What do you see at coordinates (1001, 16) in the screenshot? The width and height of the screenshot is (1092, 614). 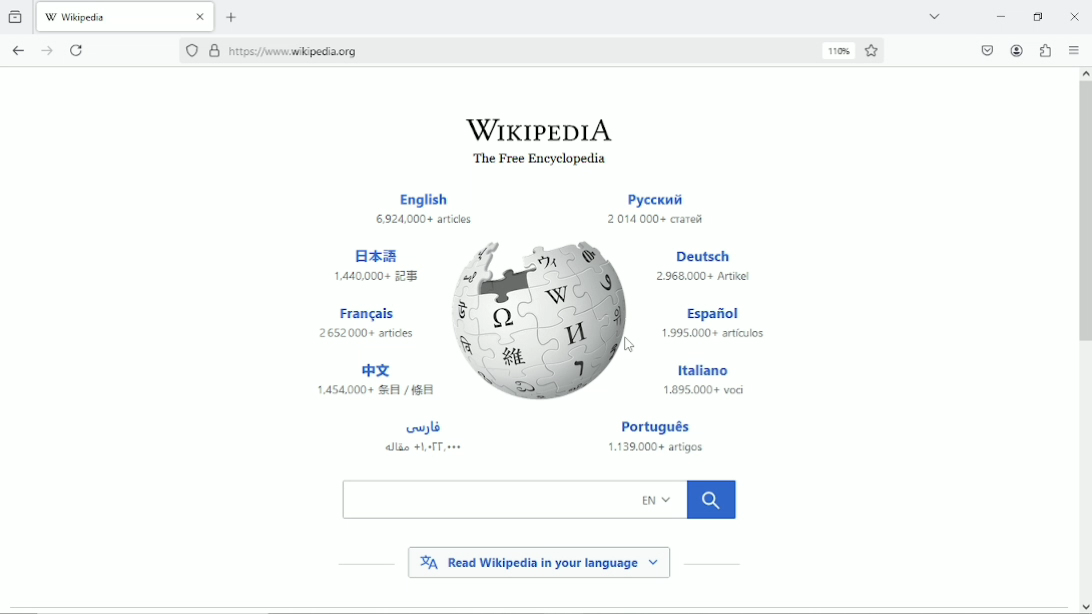 I see `minimize` at bounding box center [1001, 16].